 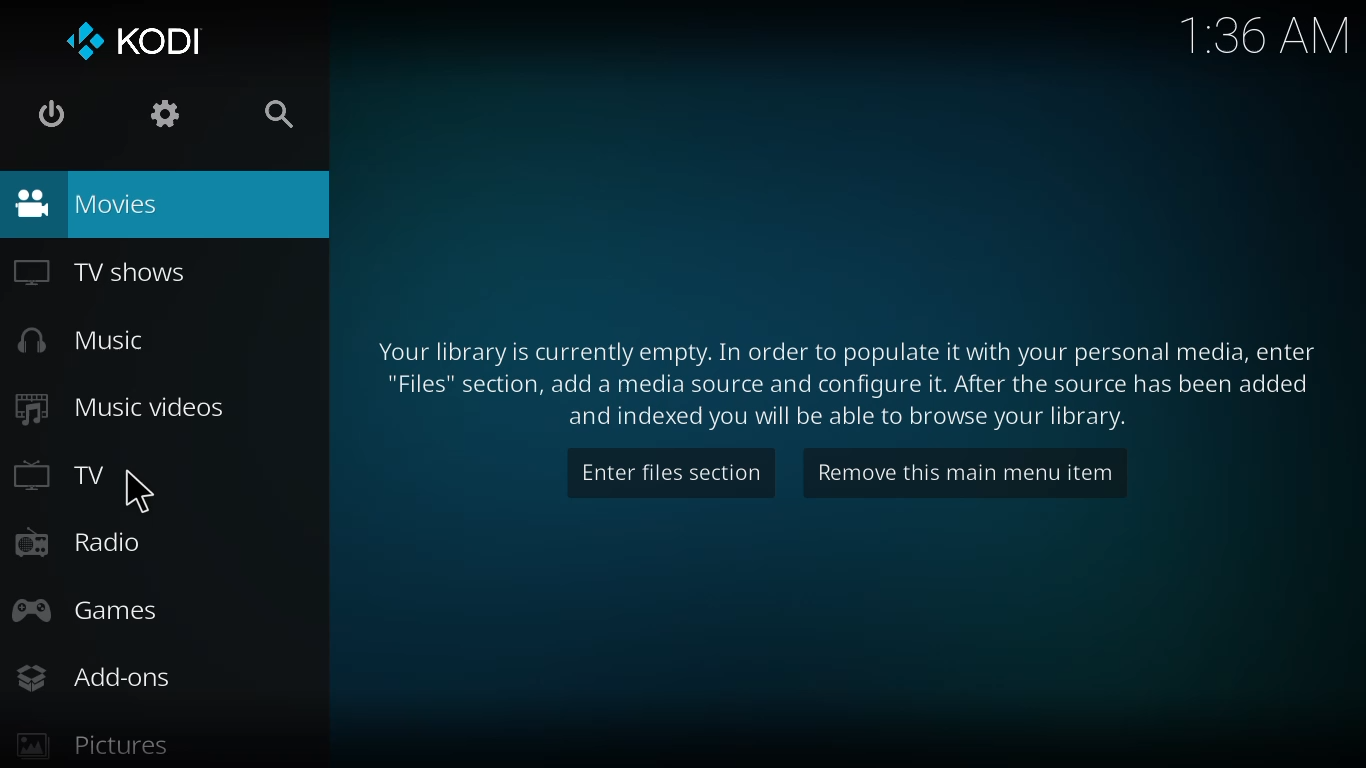 I want to click on music, so click(x=84, y=340).